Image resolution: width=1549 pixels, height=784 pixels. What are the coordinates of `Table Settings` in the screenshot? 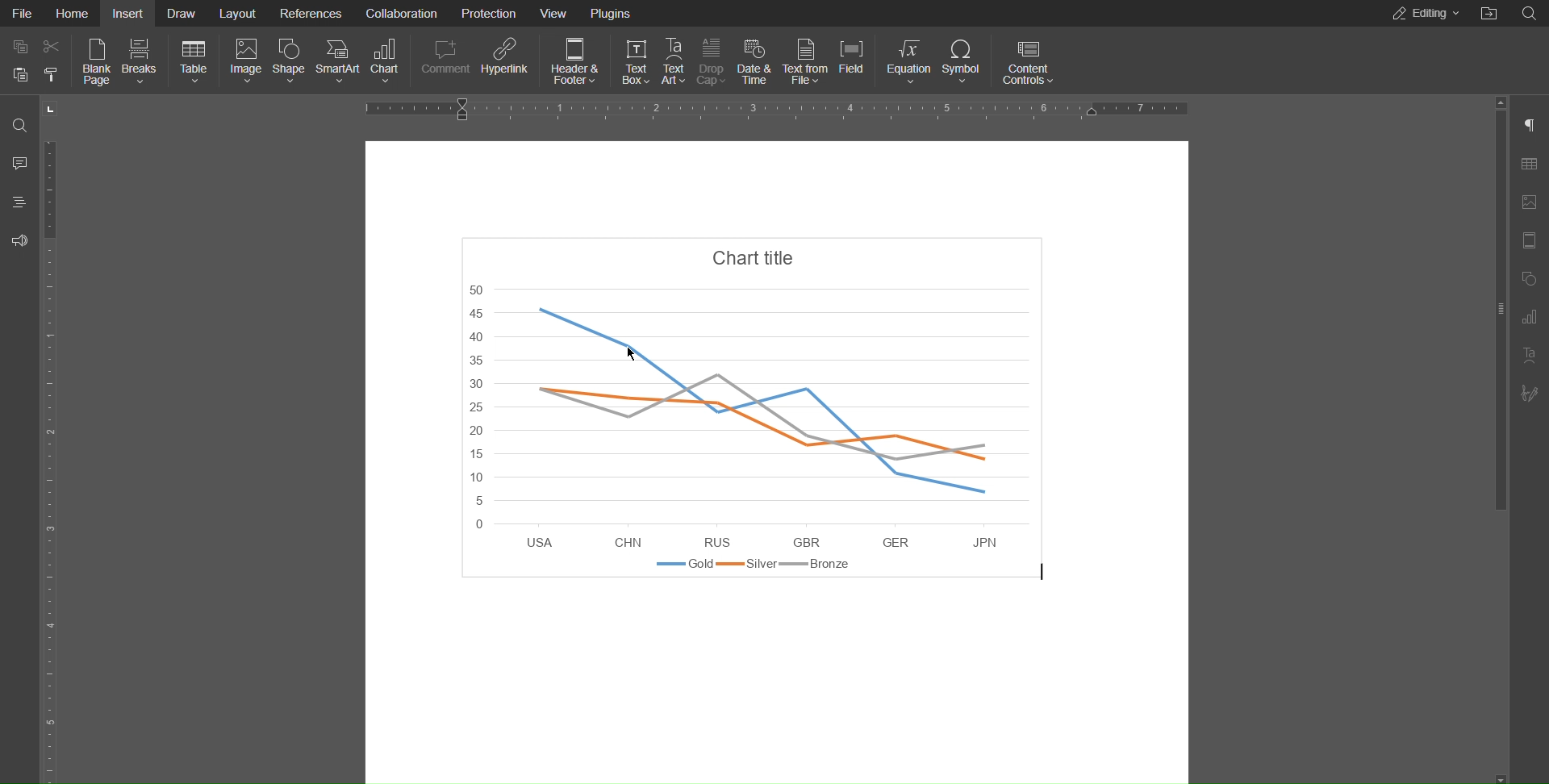 It's located at (1530, 165).